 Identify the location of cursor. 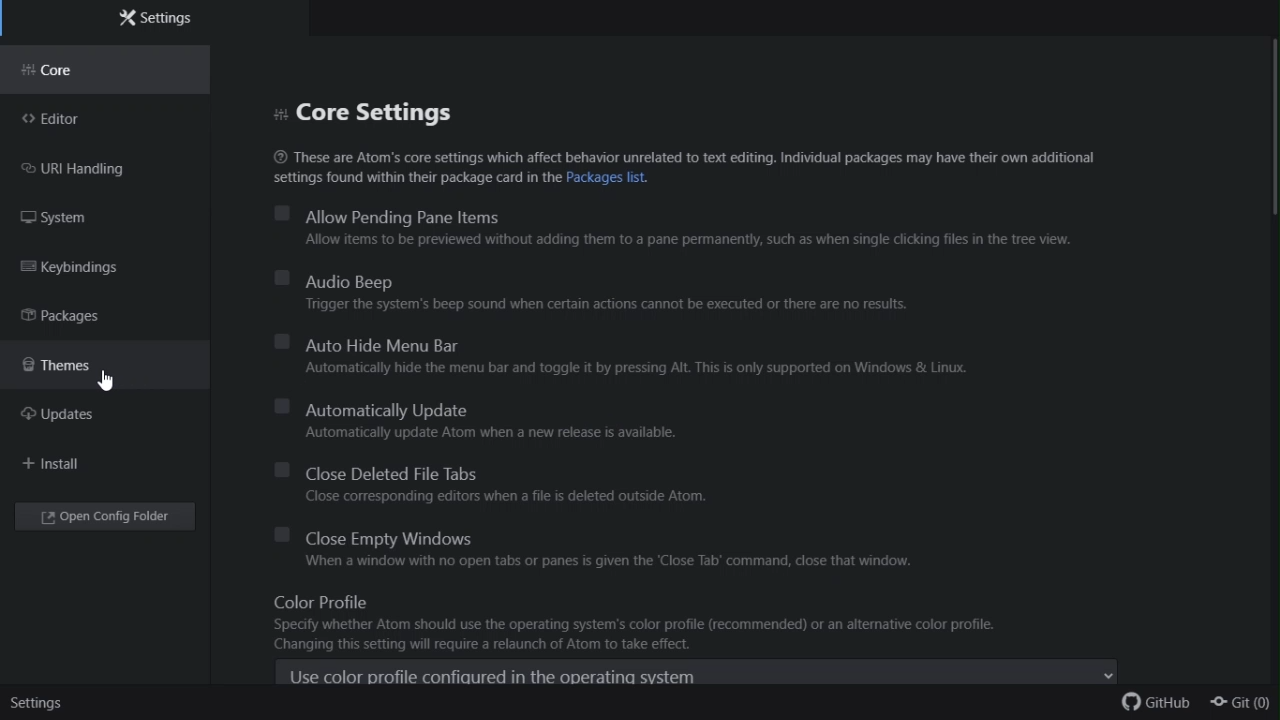
(118, 382).